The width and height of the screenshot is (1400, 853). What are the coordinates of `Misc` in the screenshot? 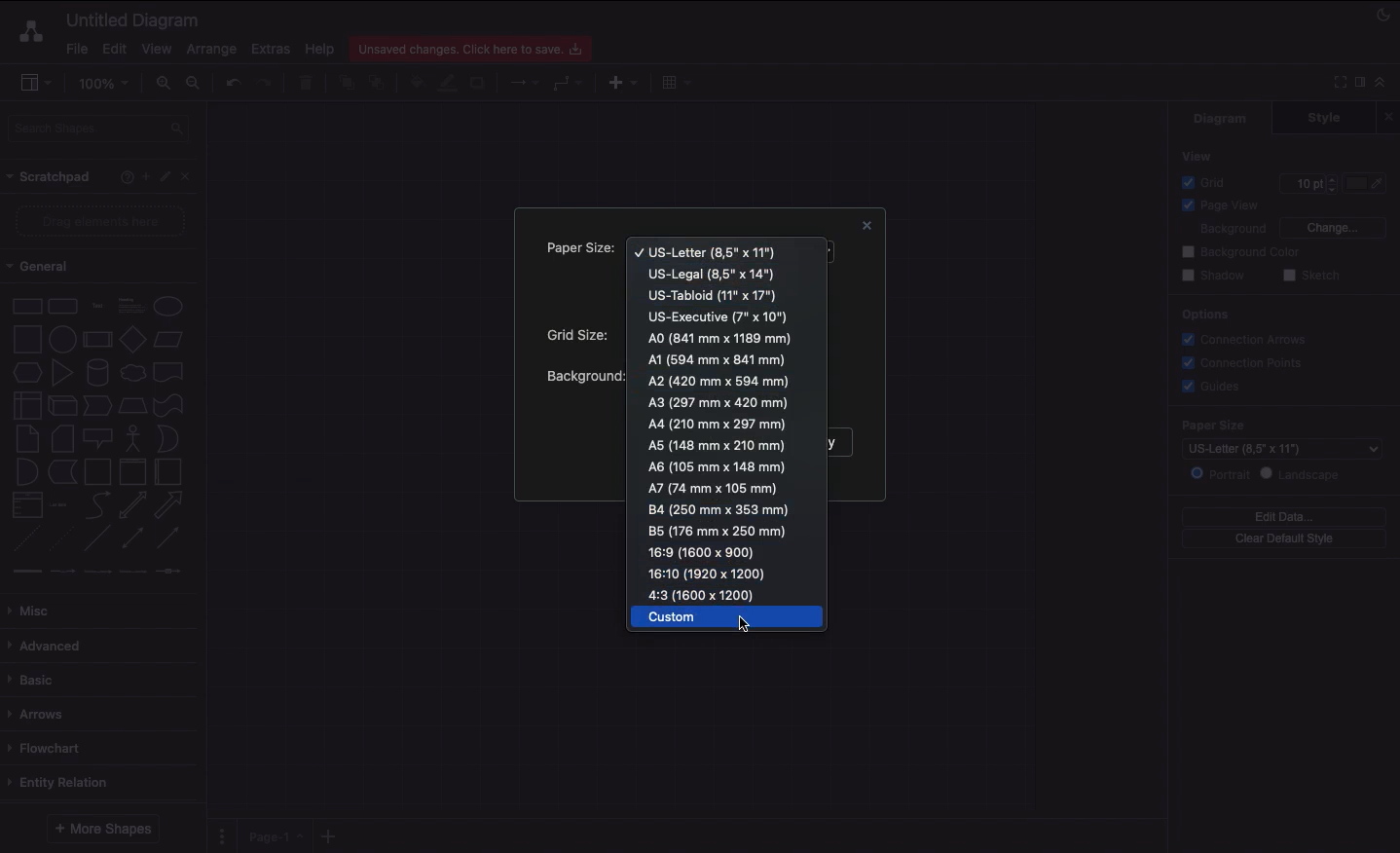 It's located at (34, 611).